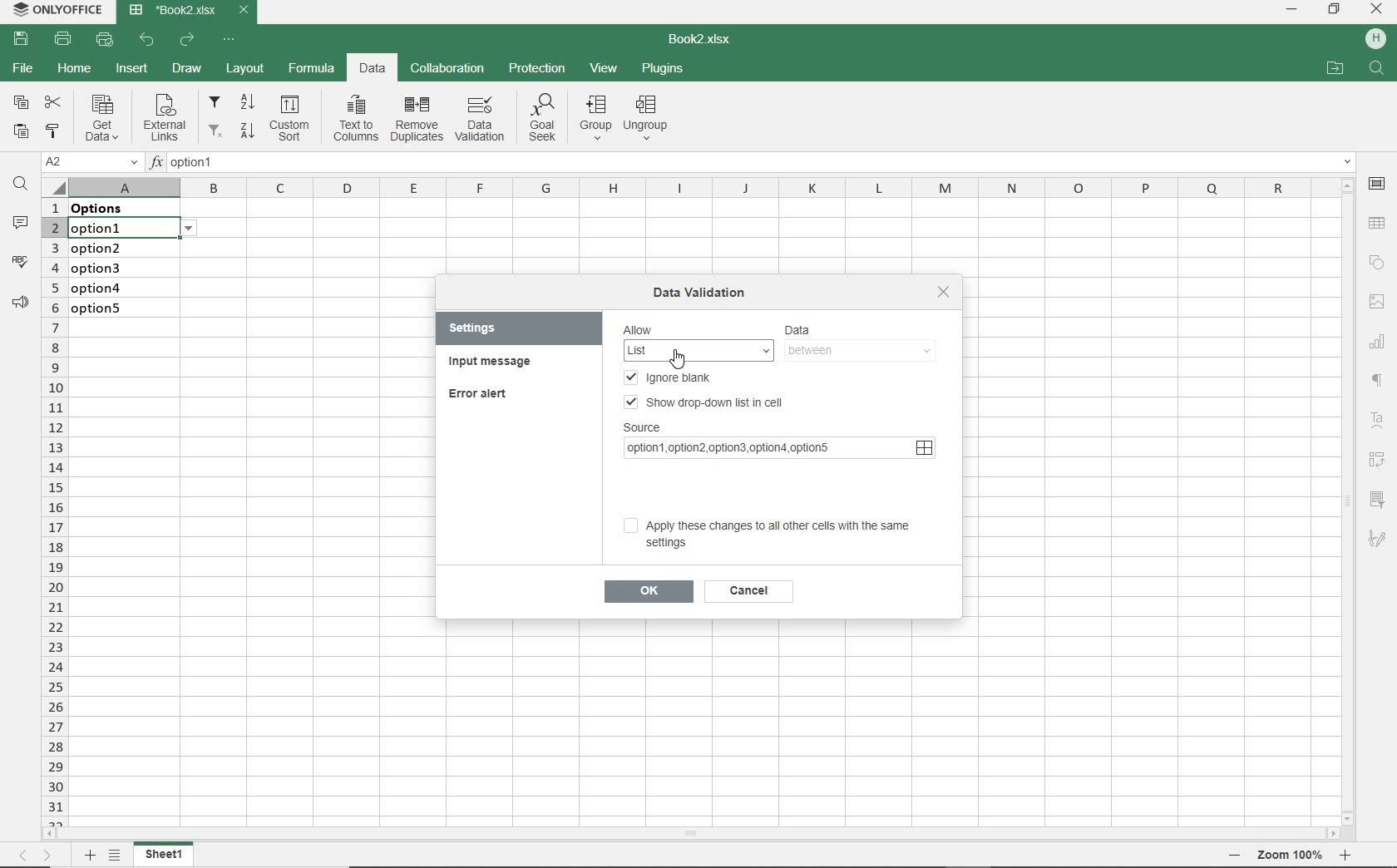  I want to click on COPY, so click(19, 101).